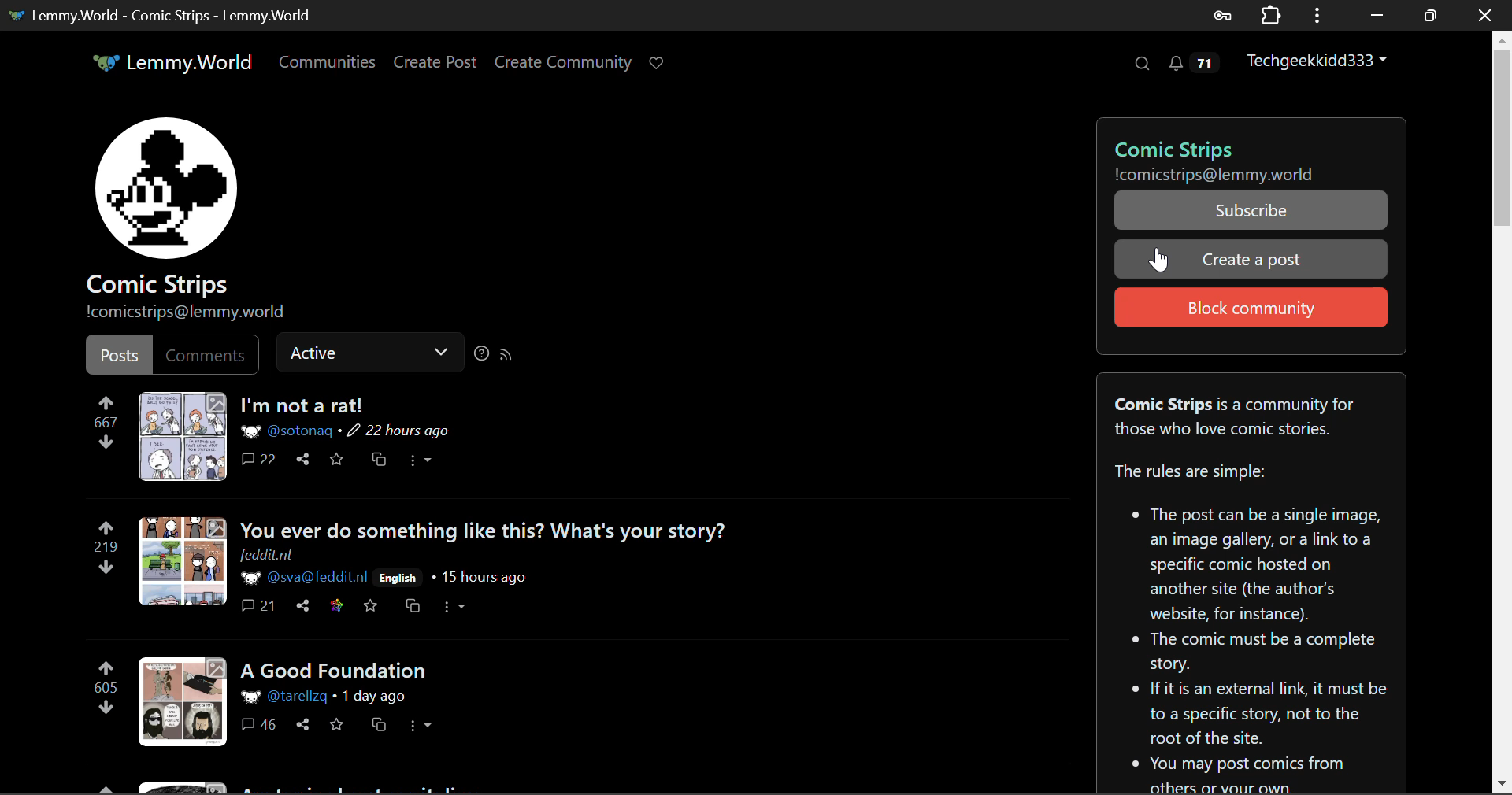 The height and width of the screenshot is (795, 1512). I want to click on Posts Filter Selected, so click(118, 353).